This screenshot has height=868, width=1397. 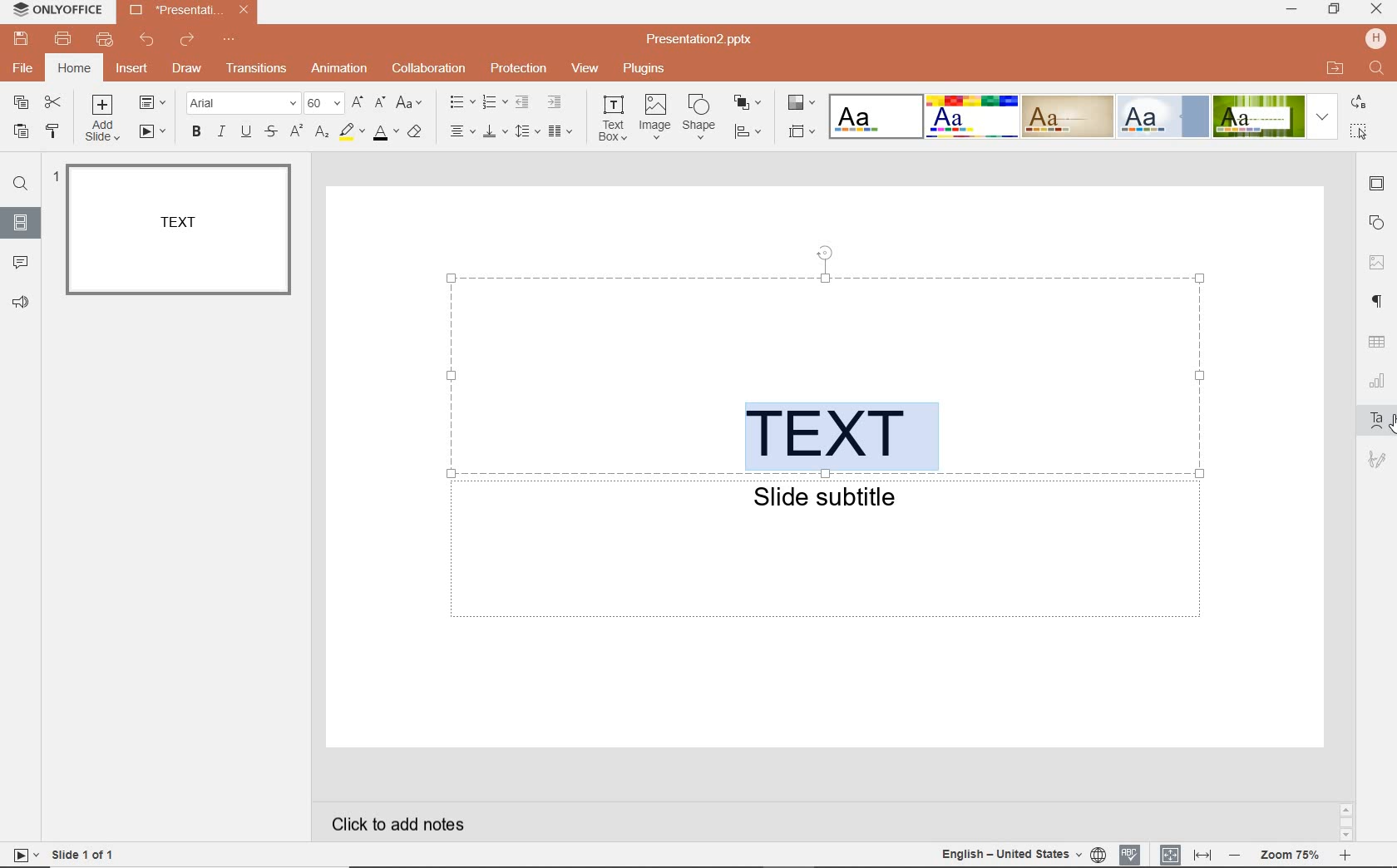 What do you see at coordinates (381, 104) in the screenshot?
I see `DECREMENT FONT SIZE` at bounding box center [381, 104].